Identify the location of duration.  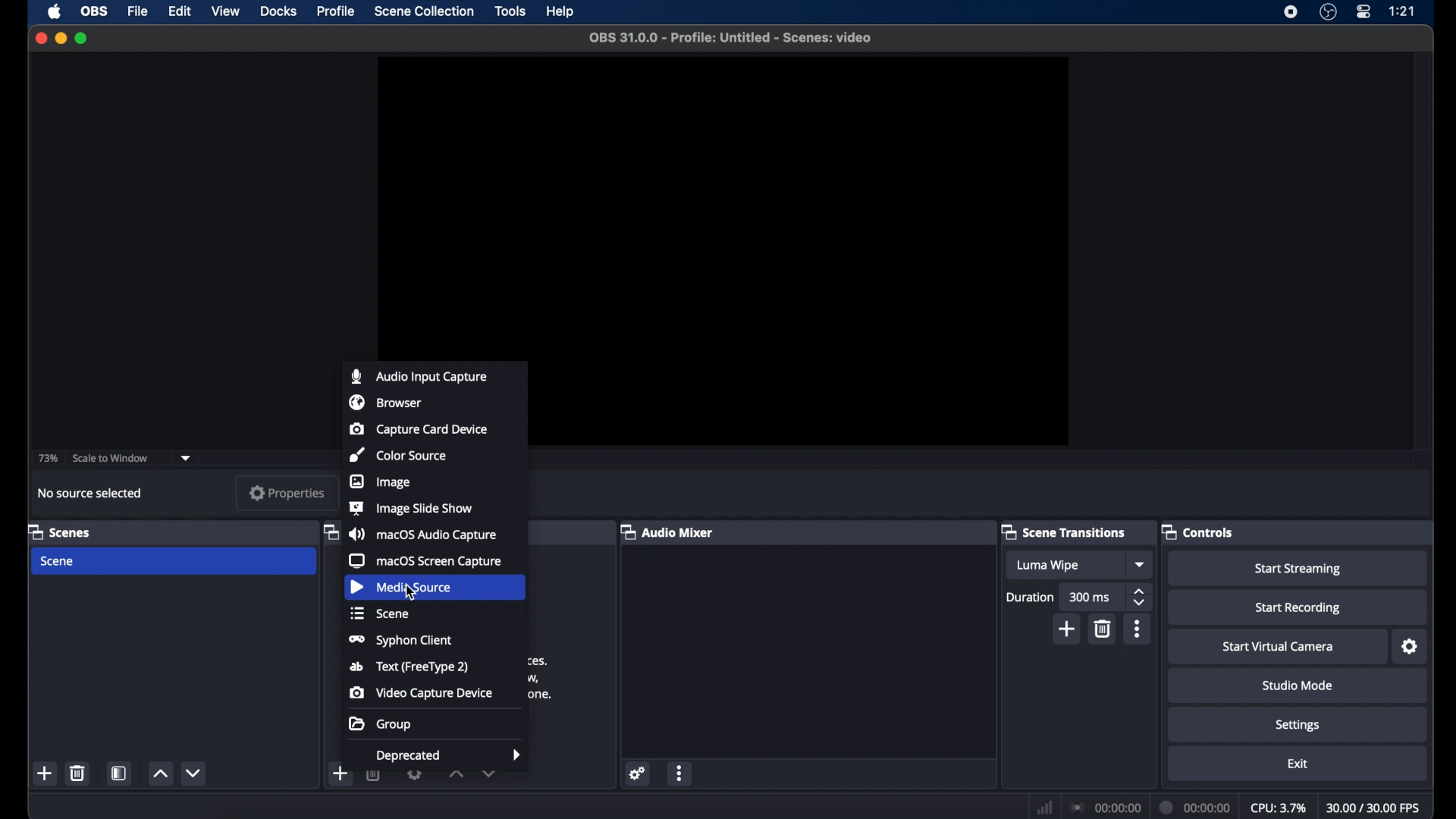
(1029, 598).